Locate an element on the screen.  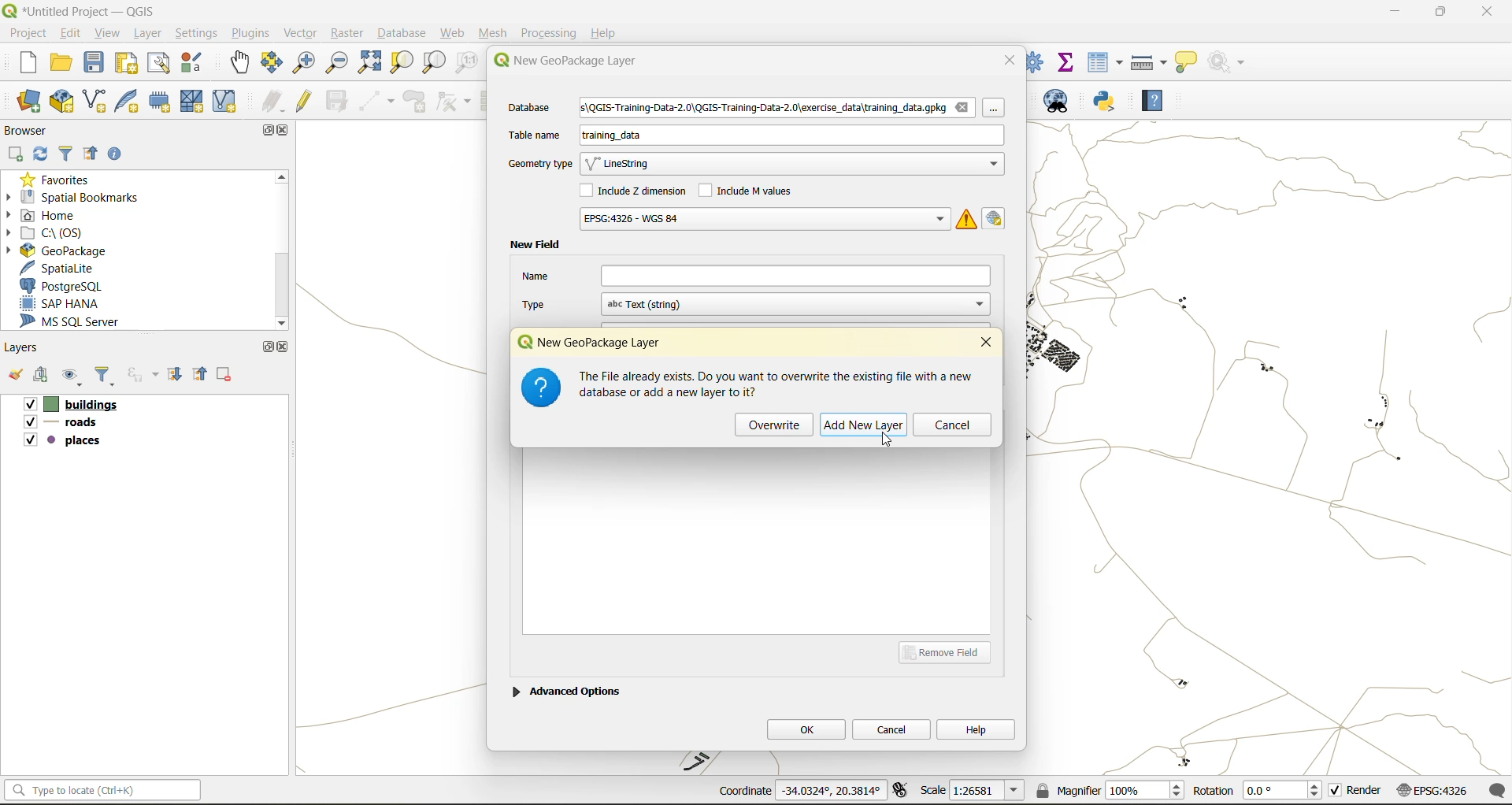
buildings is located at coordinates (69, 406).